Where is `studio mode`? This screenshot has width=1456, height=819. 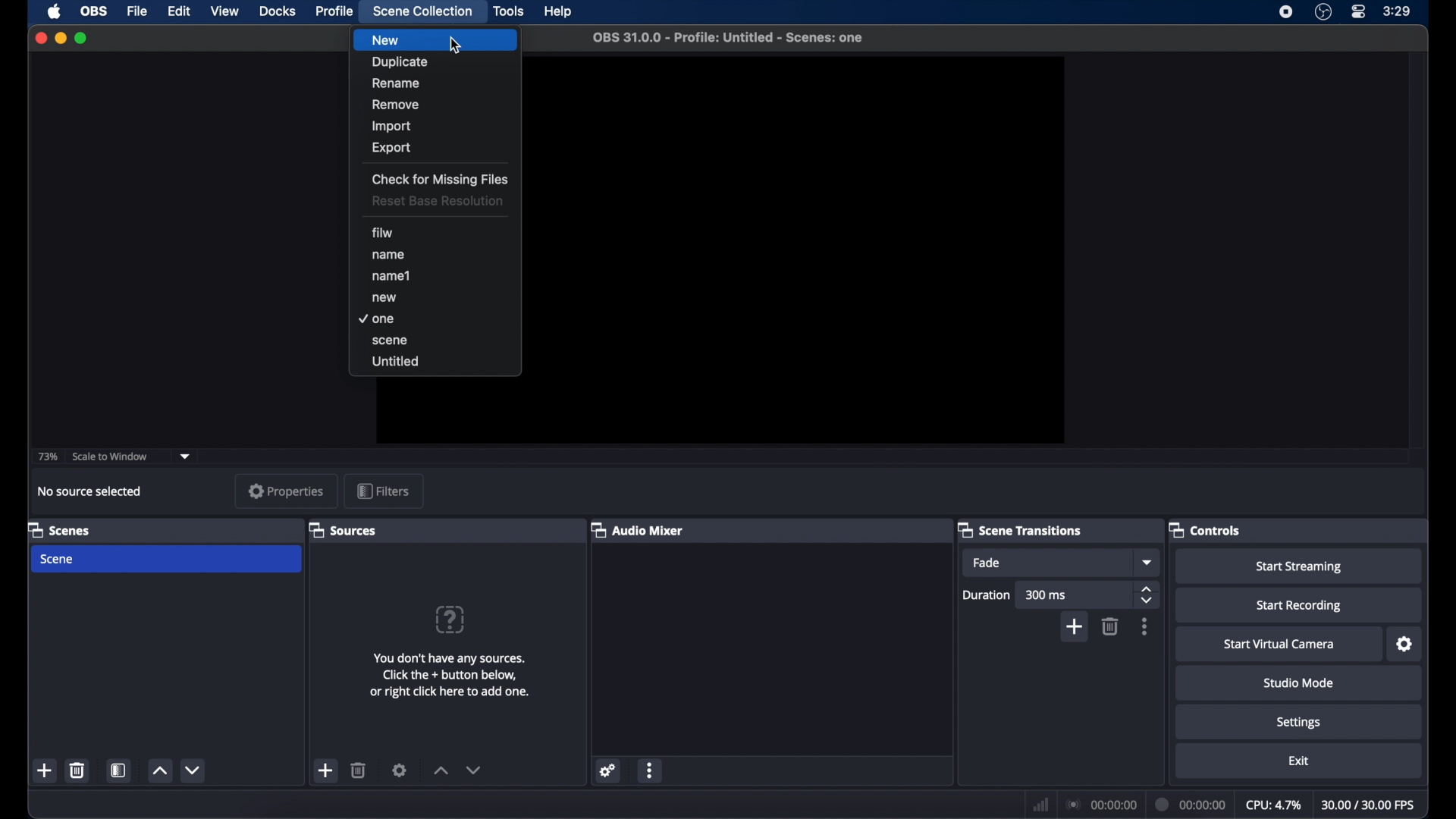
studio mode is located at coordinates (1301, 682).